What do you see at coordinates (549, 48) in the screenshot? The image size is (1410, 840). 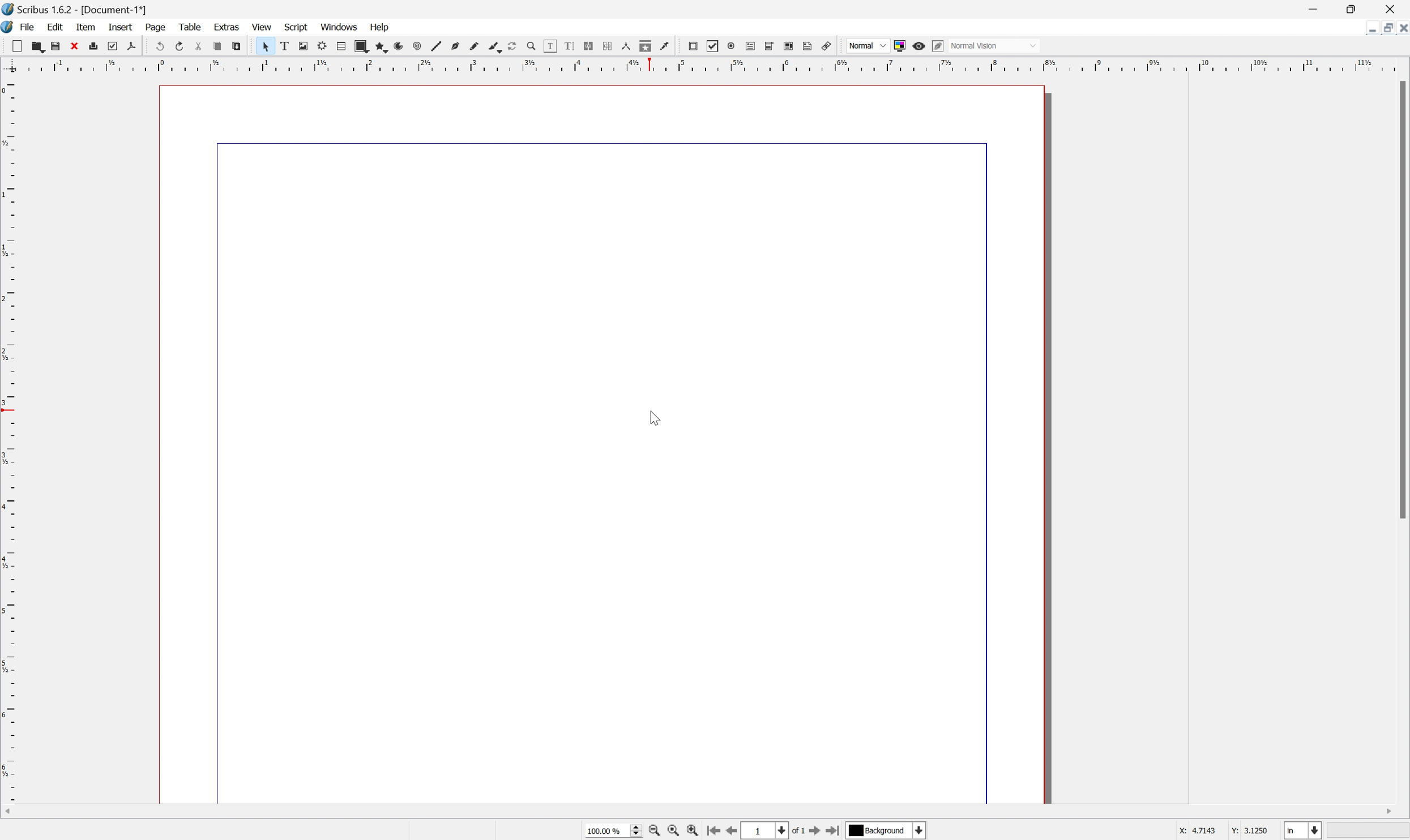 I see `edit contents of frame` at bounding box center [549, 48].